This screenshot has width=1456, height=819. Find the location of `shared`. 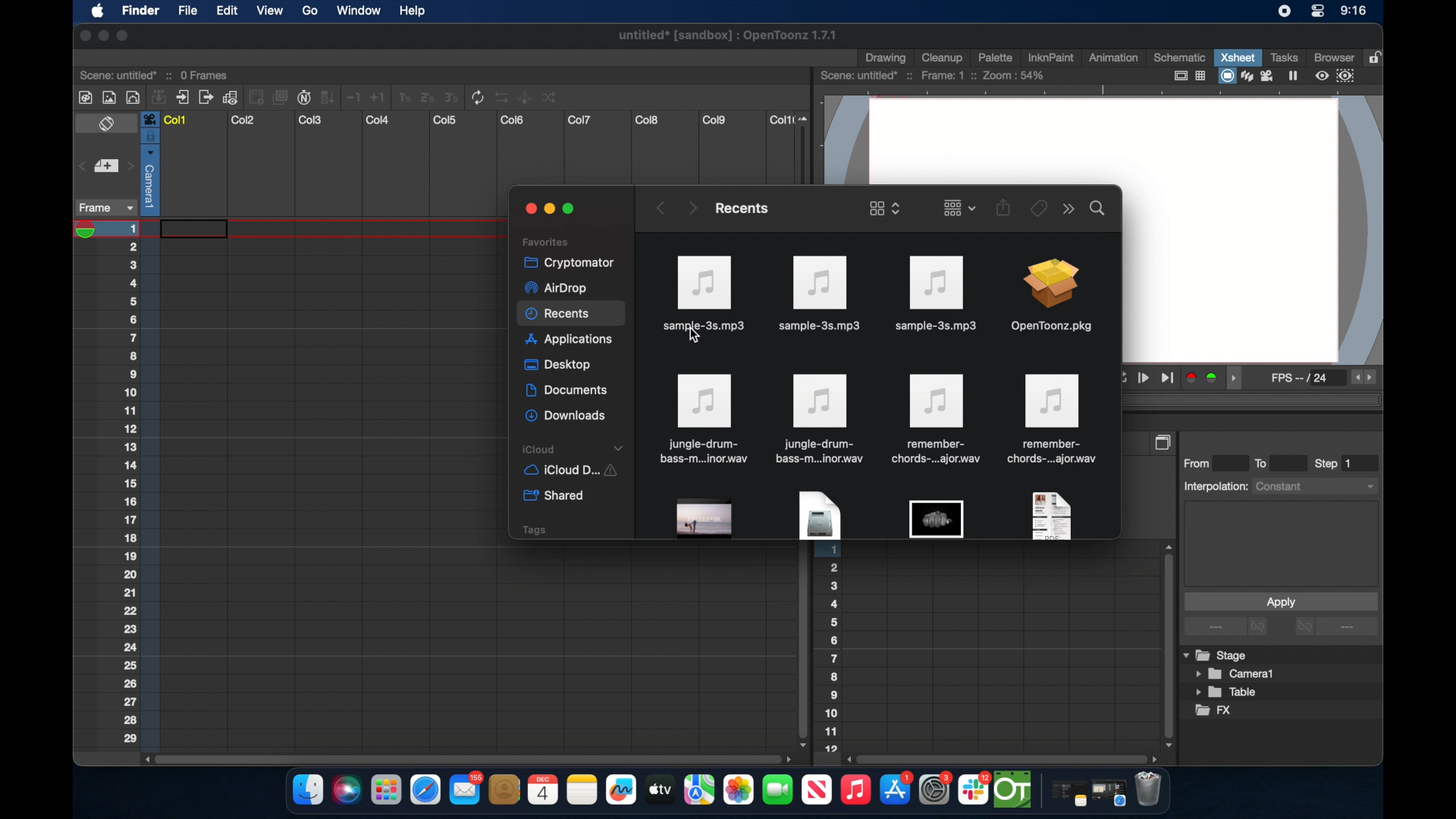

shared is located at coordinates (556, 496).